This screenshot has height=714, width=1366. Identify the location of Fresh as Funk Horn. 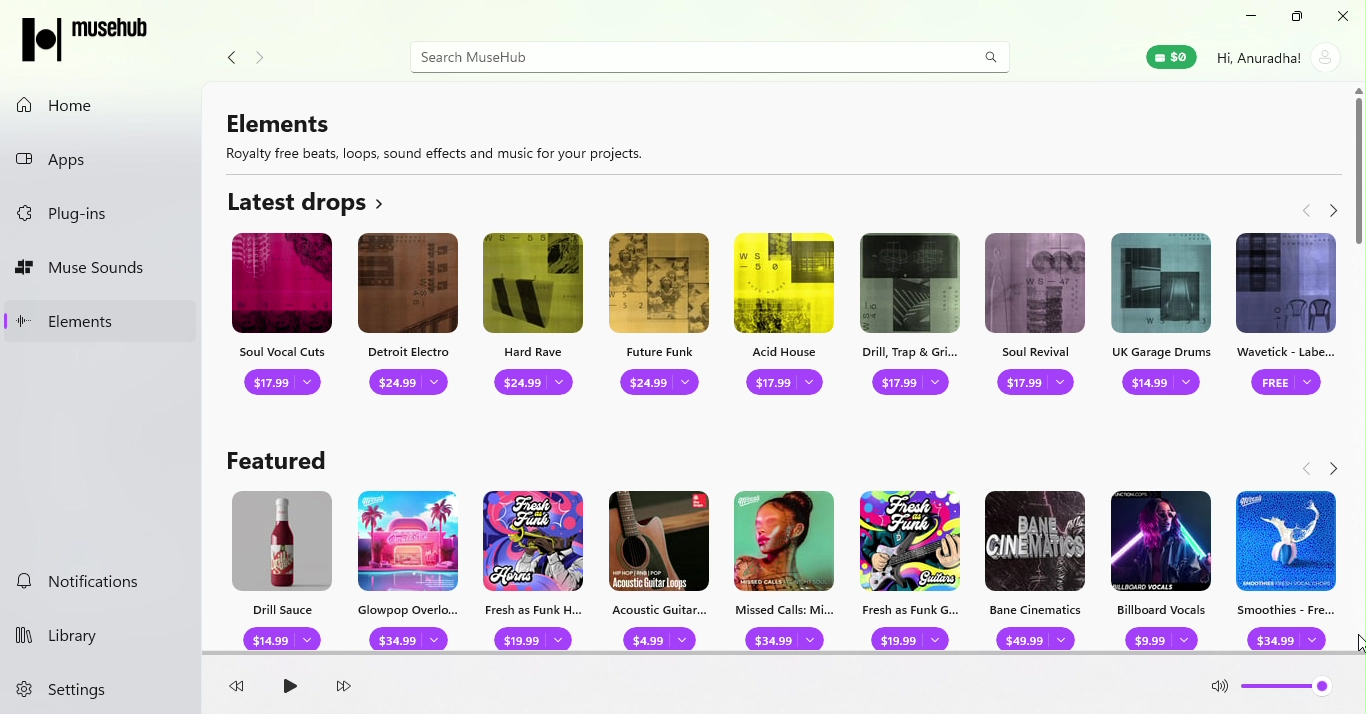
(532, 568).